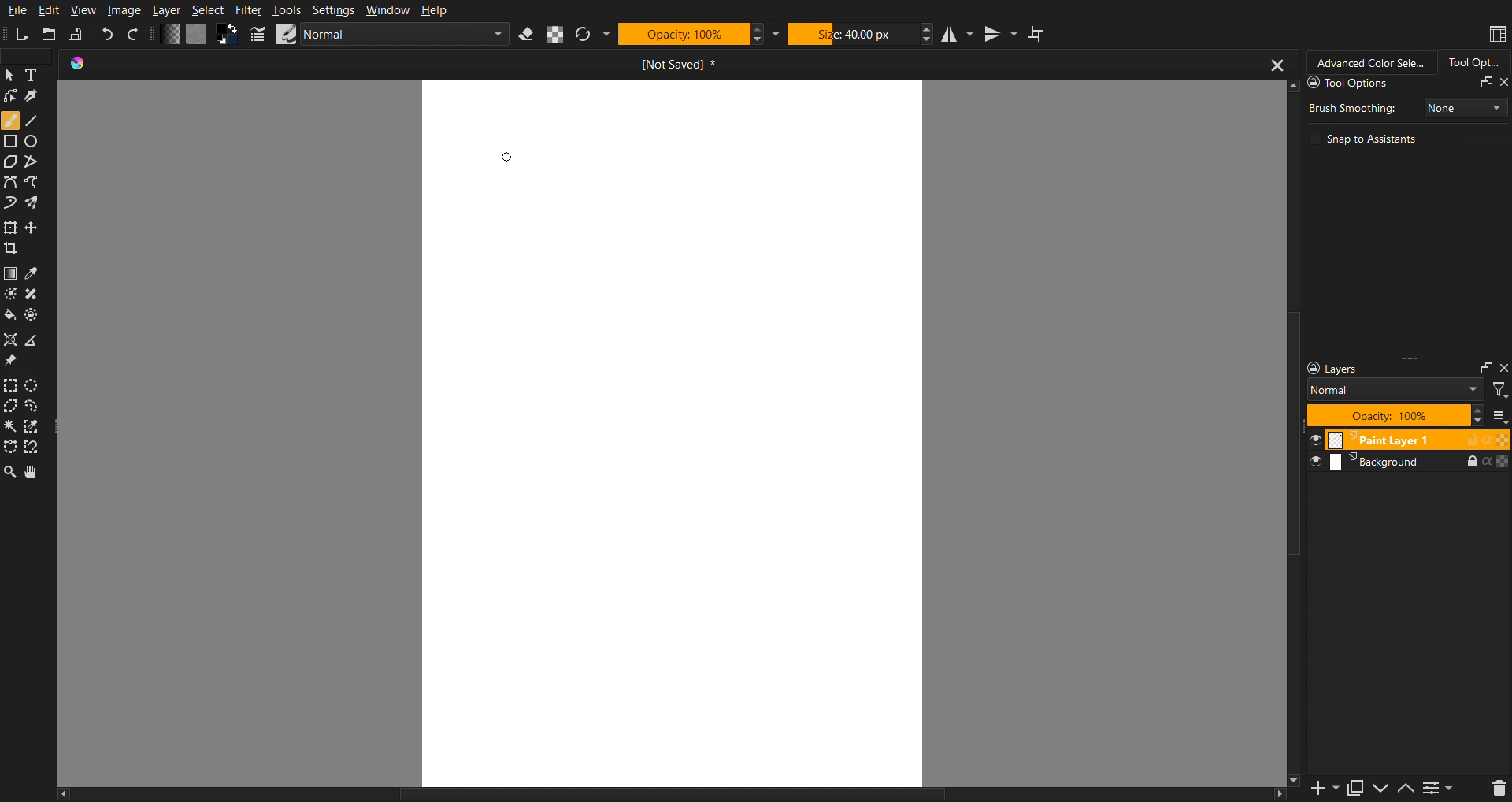  What do you see at coordinates (1473, 62) in the screenshot?
I see `Tool Options` at bounding box center [1473, 62].